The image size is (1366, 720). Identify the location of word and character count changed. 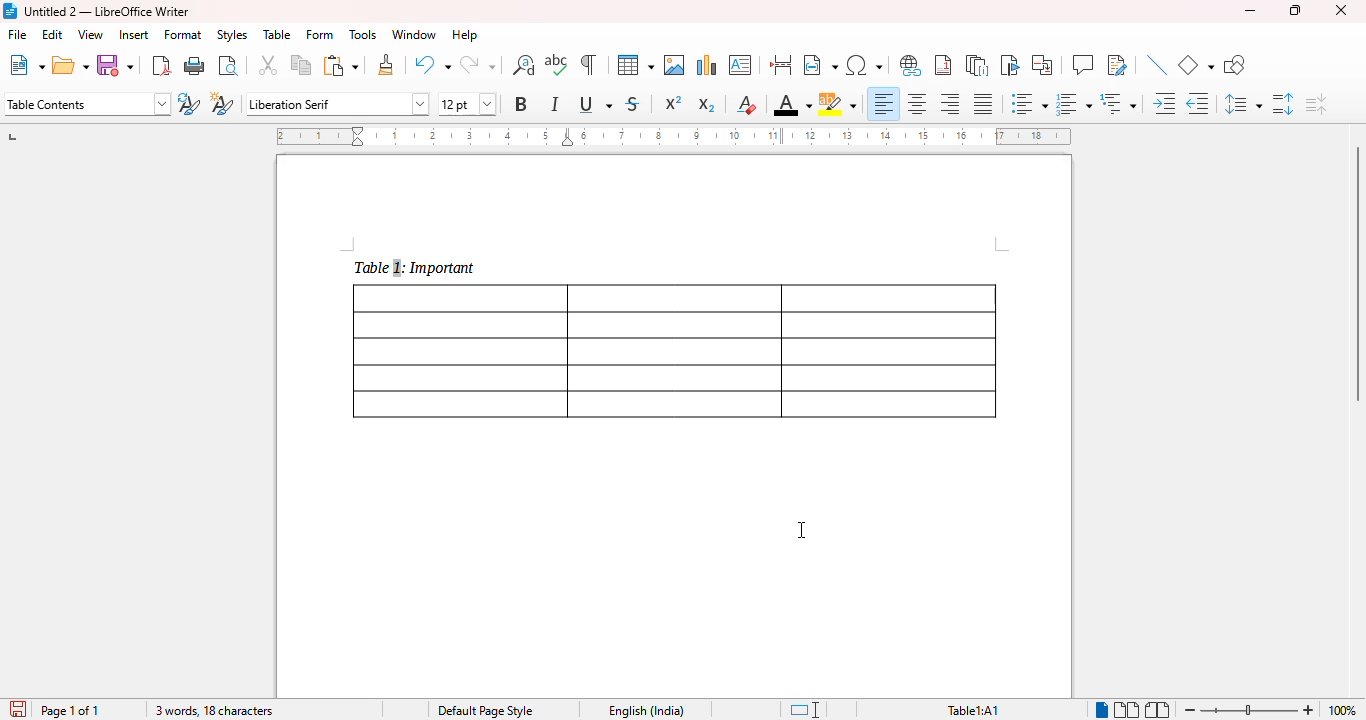
(212, 710).